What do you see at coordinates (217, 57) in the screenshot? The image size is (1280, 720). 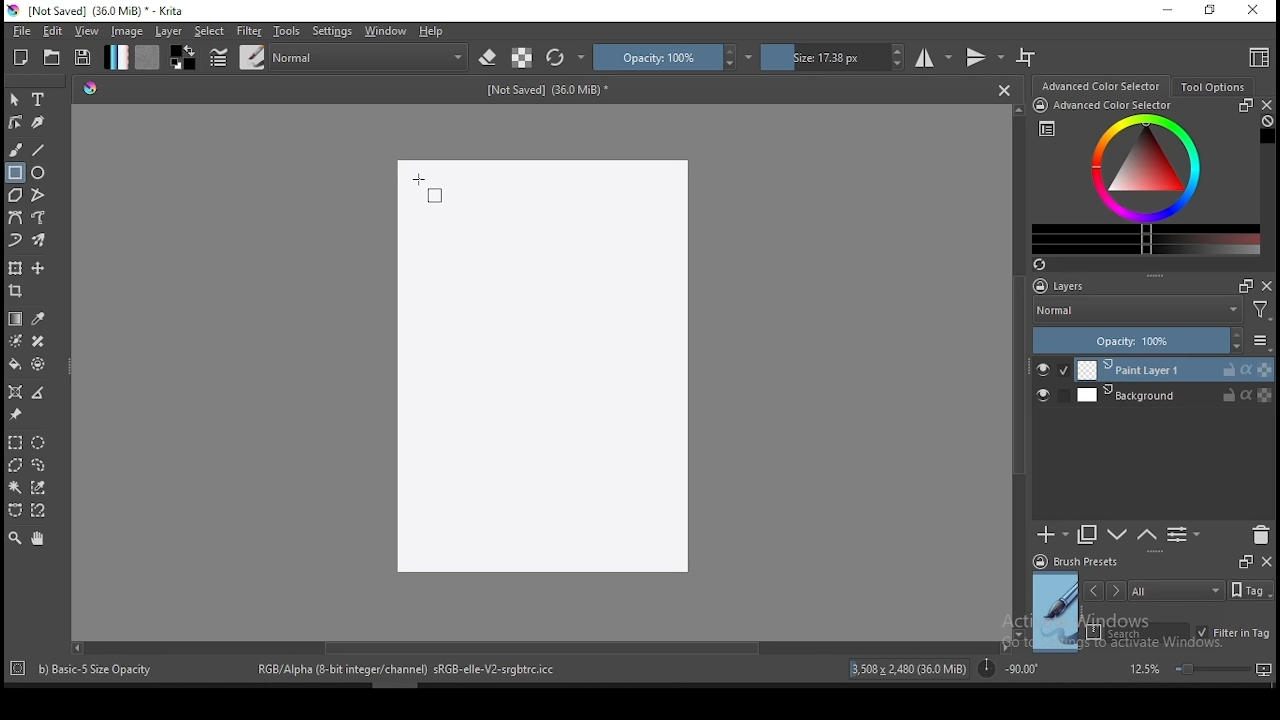 I see `brush settings` at bounding box center [217, 57].